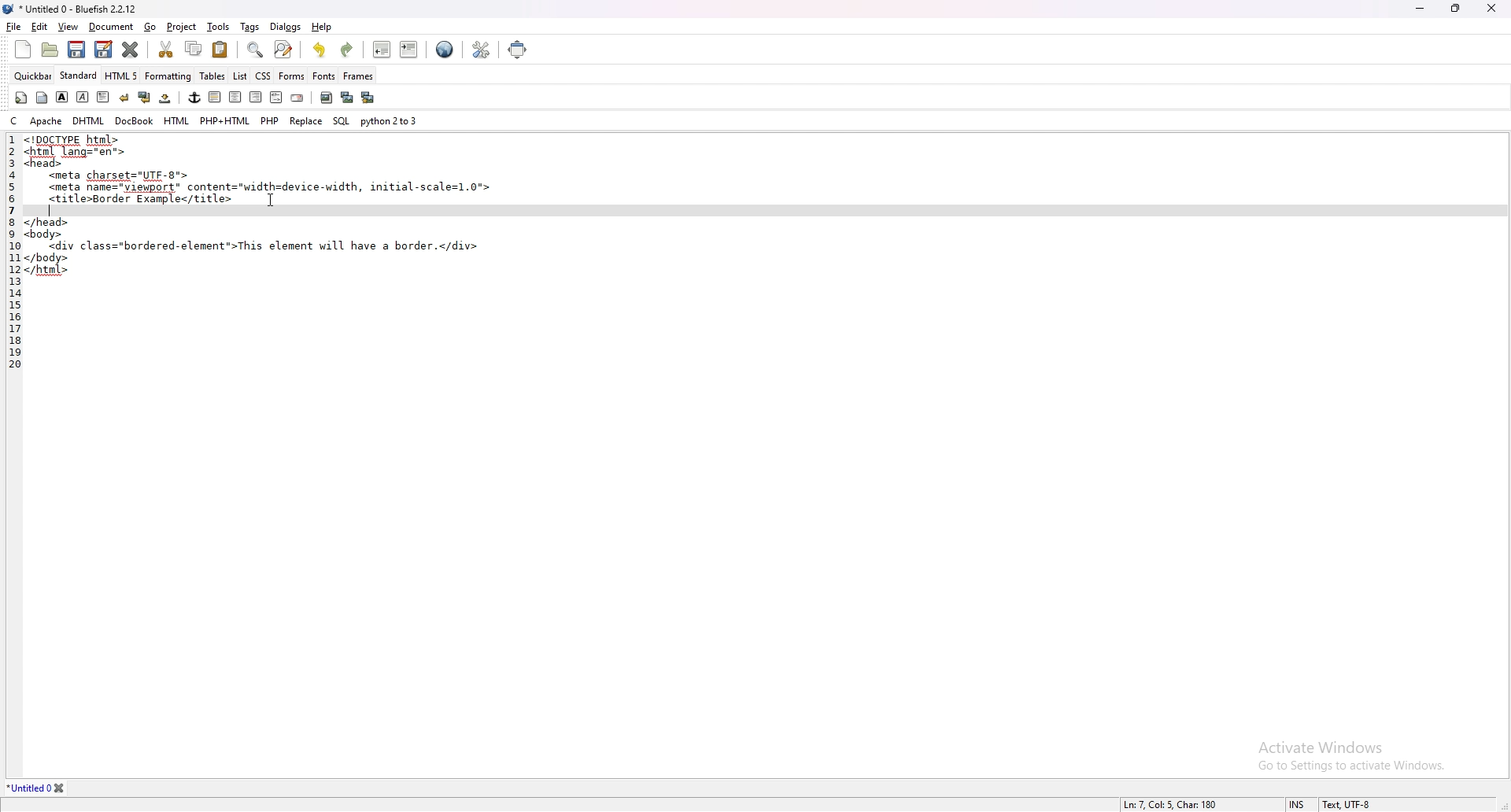 The width and height of the screenshot is (1511, 812). Describe the element at coordinates (145, 98) in the screenshot. I see `break and clear` at that location.